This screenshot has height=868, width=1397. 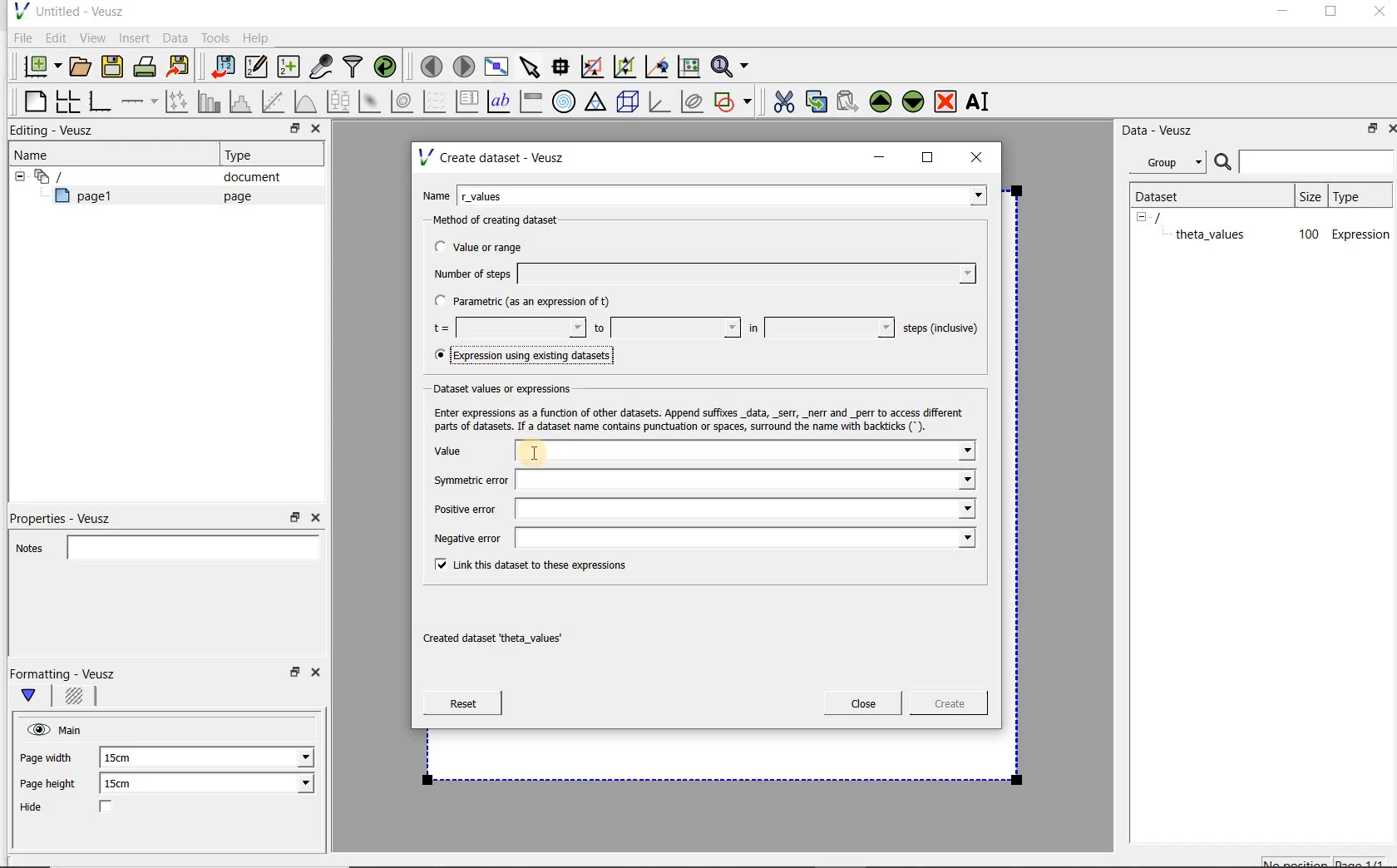 I want to click on Create, so click(x=944, y=706).